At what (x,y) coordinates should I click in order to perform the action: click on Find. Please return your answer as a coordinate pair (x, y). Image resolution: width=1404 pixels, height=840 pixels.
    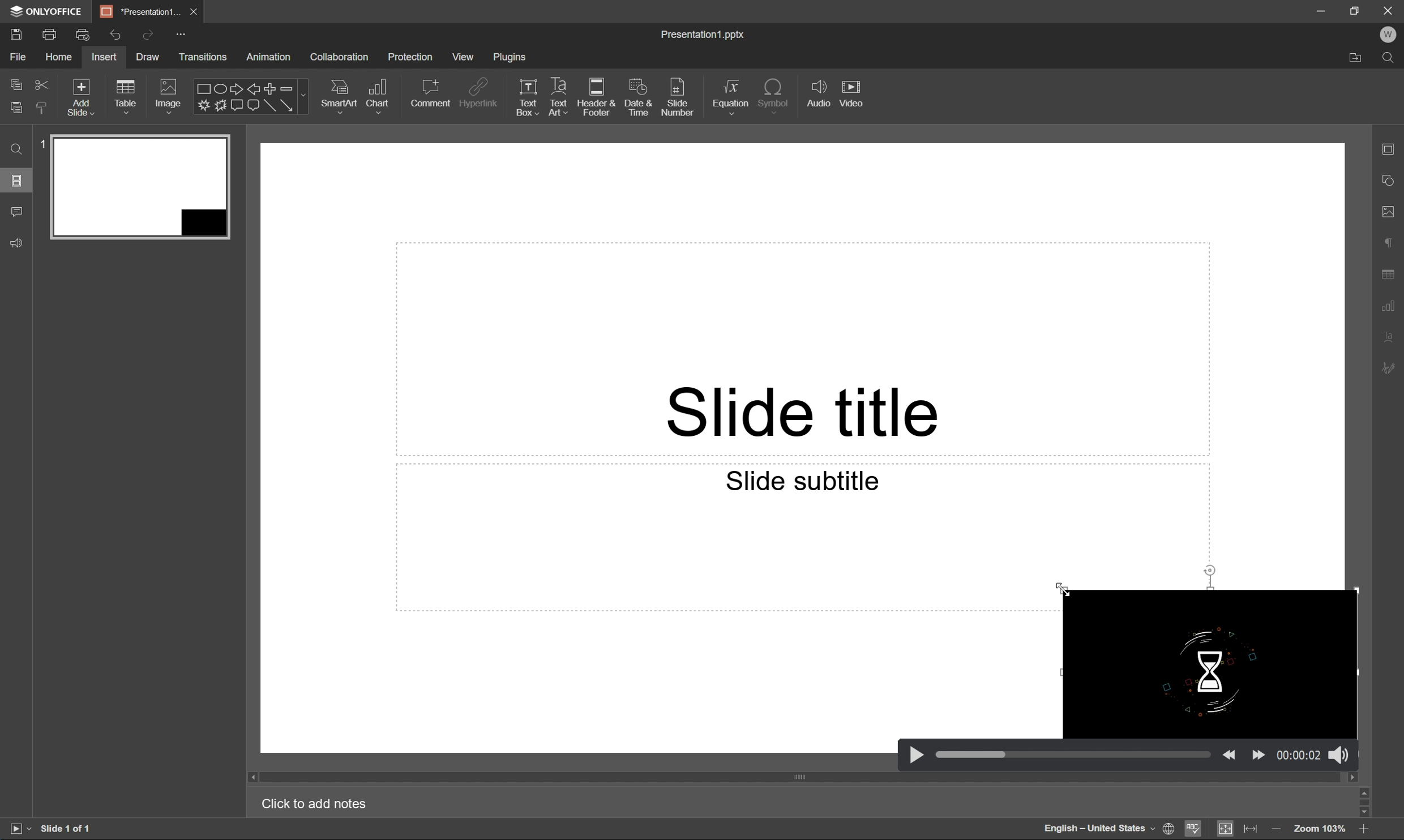
    Looking at the image, I should click on (1391, 59).